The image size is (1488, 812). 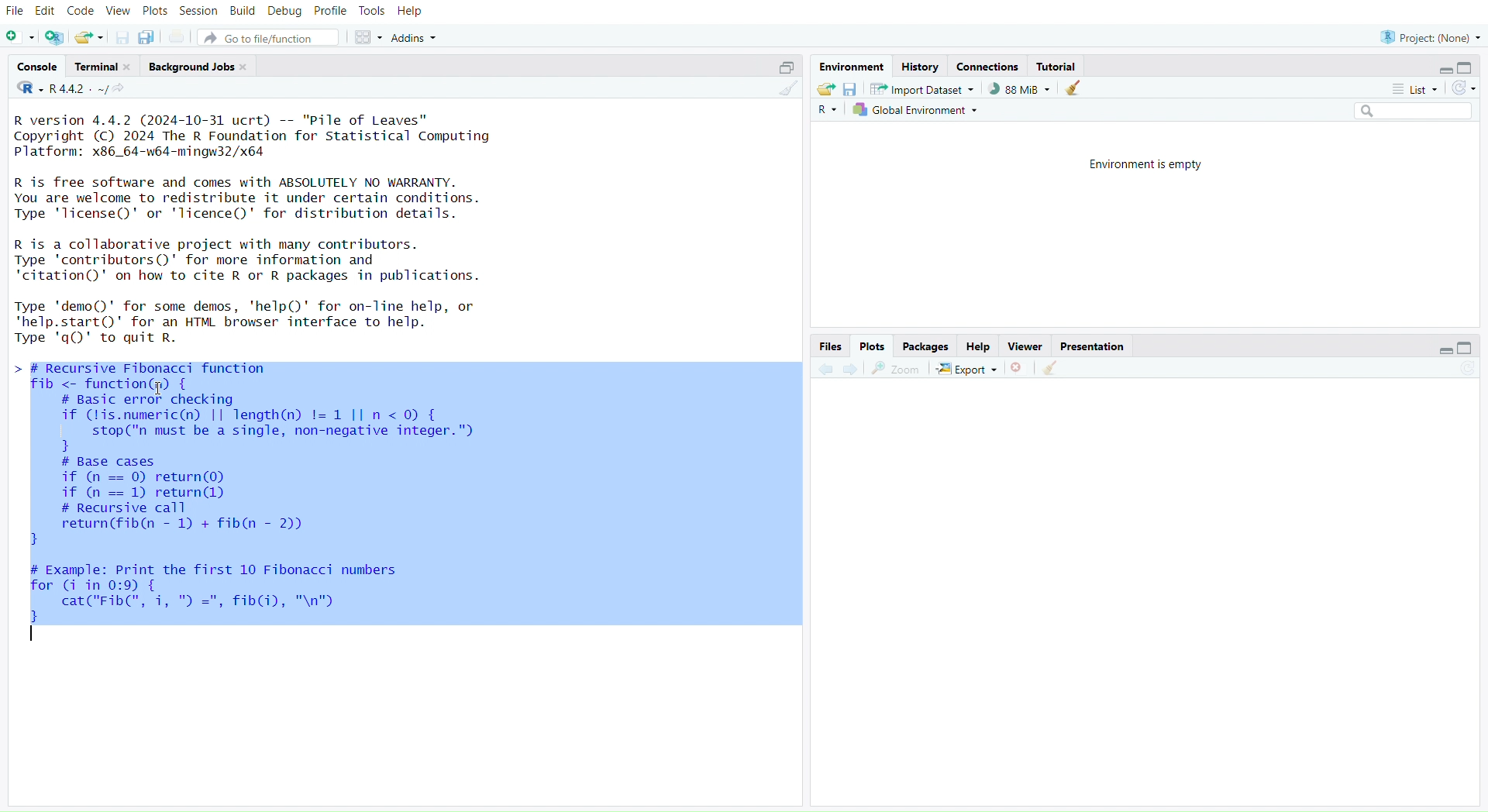 What do you see at coordinates (40, 67) in the screenshot?
I see `console` at bounding box center [40, 67].